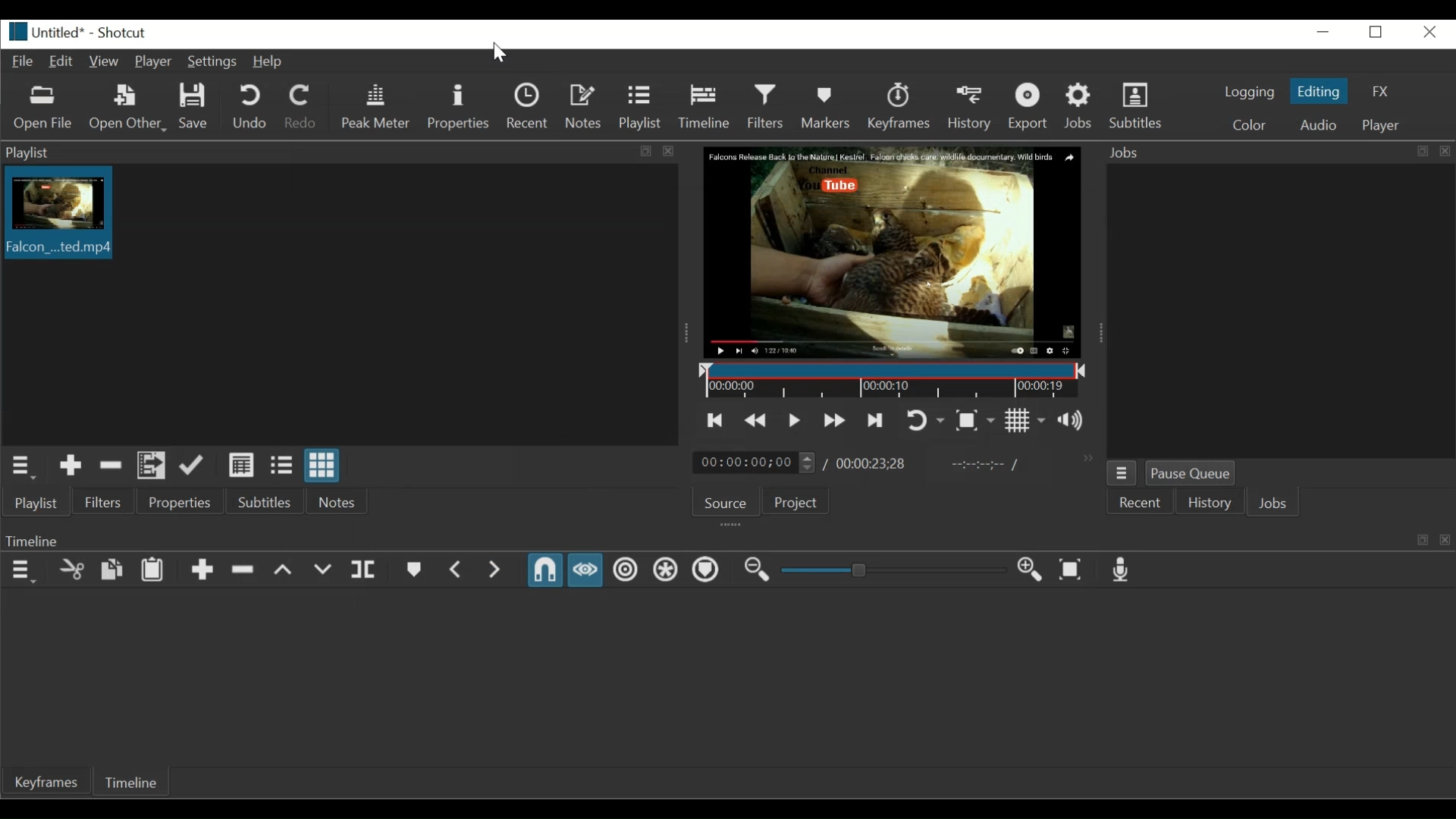 This screenshot has height=819, width=1456. Describe the element at coordinates (899, 108) in the screenshot. I see `Keyframes` at that location.